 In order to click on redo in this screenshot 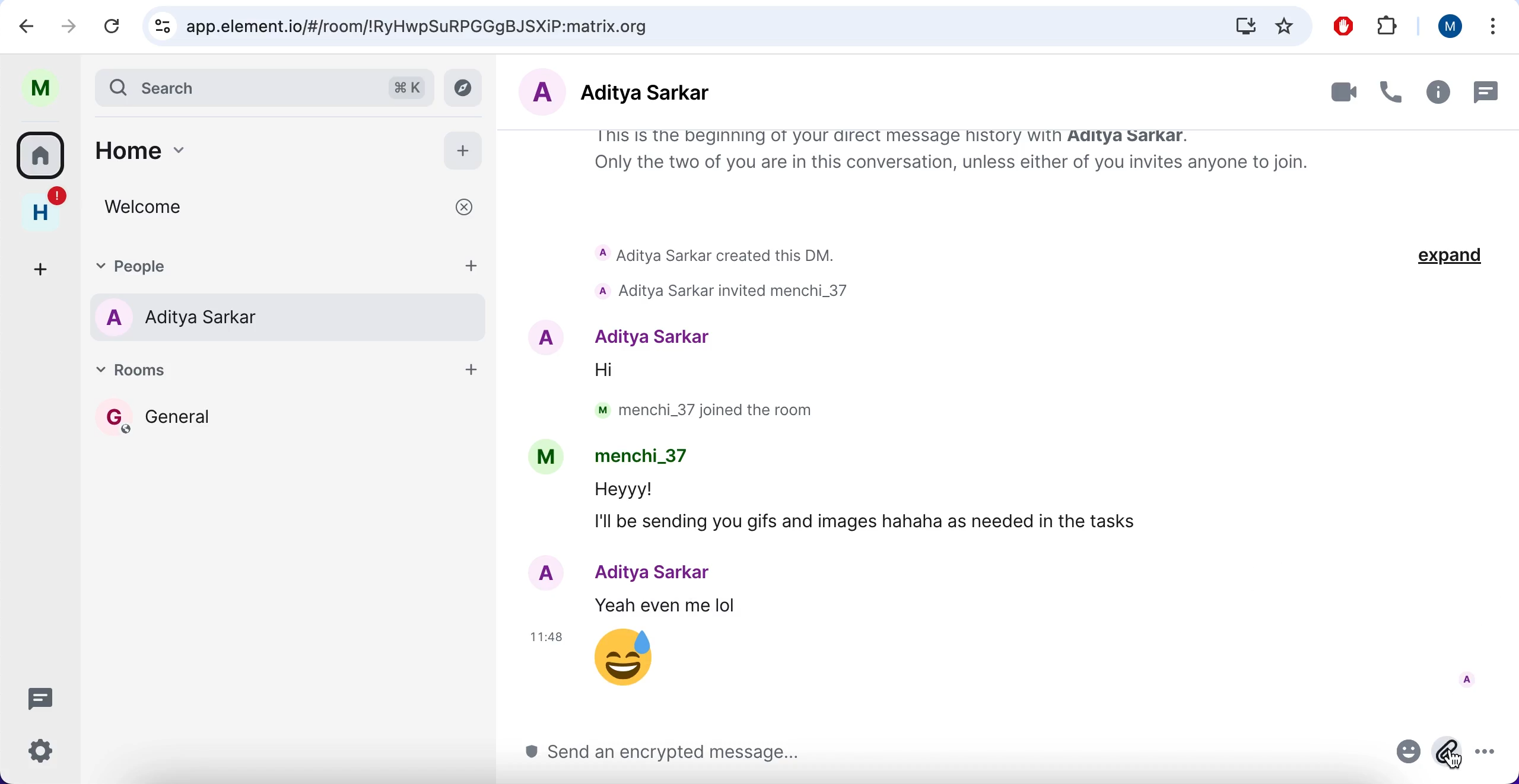, I will do `click(71, 27)`.